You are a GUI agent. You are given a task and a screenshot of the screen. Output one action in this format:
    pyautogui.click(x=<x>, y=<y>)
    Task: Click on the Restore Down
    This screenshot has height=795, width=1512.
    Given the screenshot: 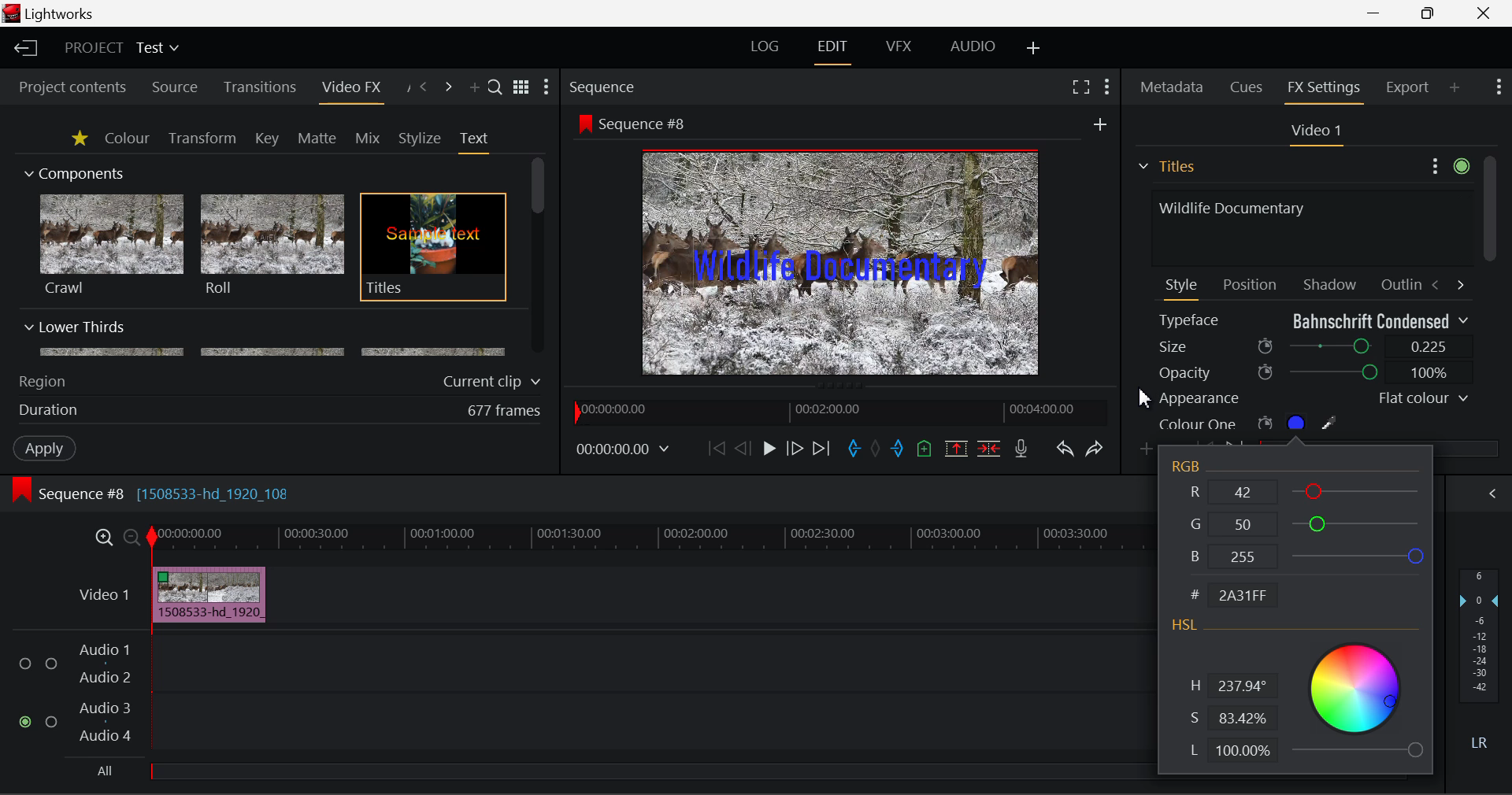 What is the action you would take?
    pyautogui.click(x=1375, y=11)
    